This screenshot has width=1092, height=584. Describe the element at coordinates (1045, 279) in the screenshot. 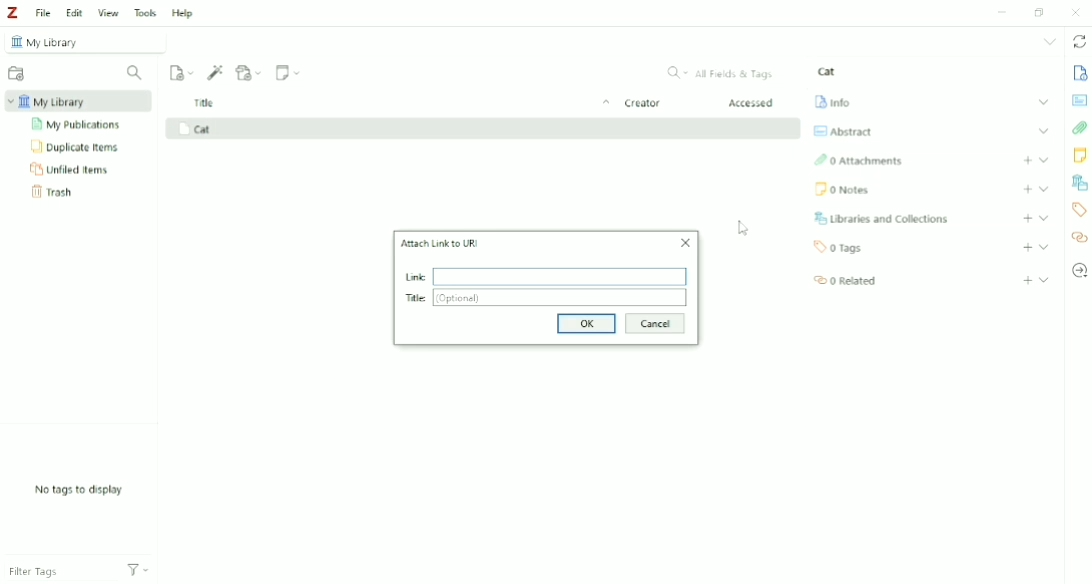

I see `Expand section` at that location.